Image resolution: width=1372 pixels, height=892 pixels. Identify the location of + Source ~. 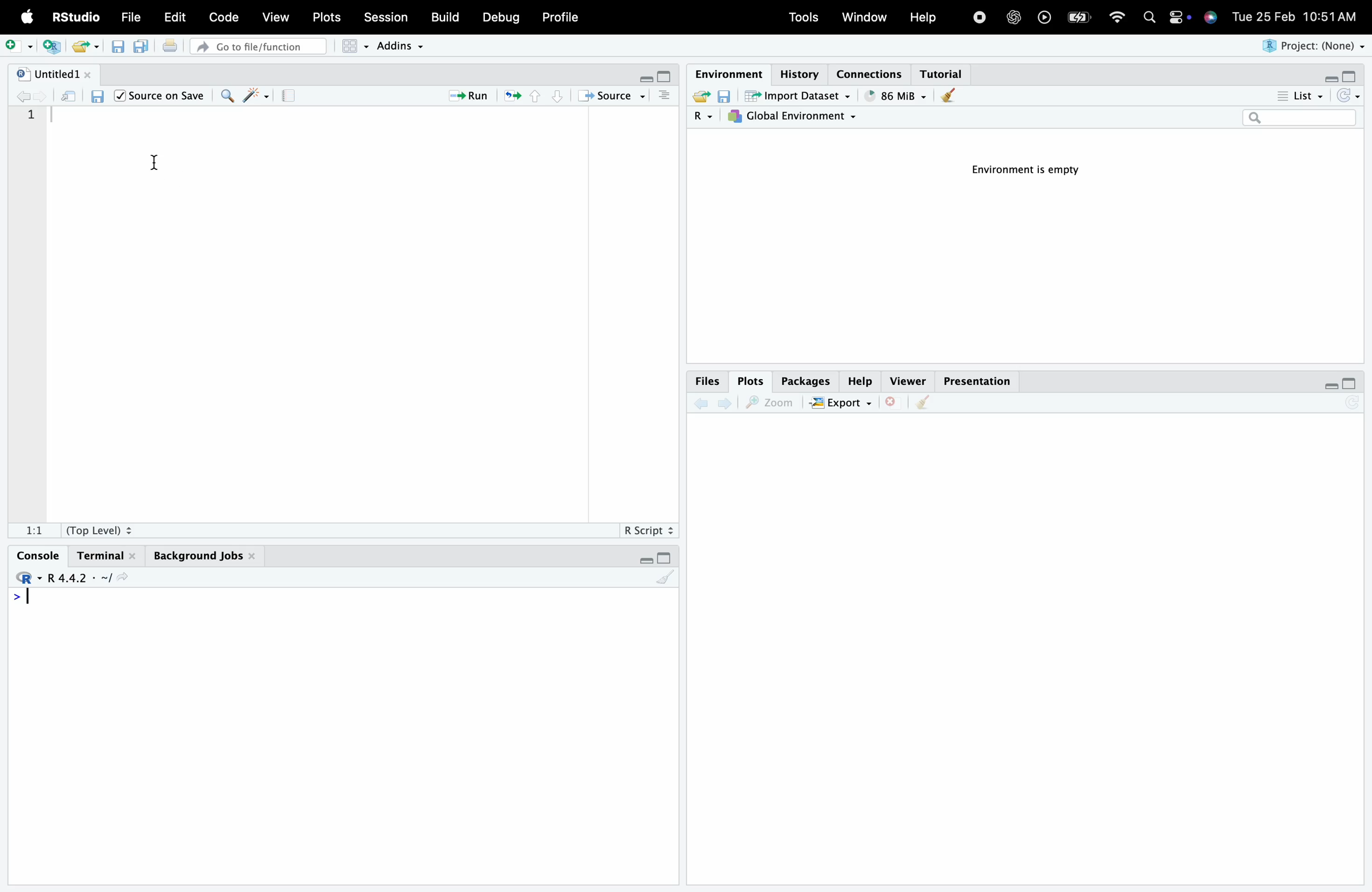
(613, 96).